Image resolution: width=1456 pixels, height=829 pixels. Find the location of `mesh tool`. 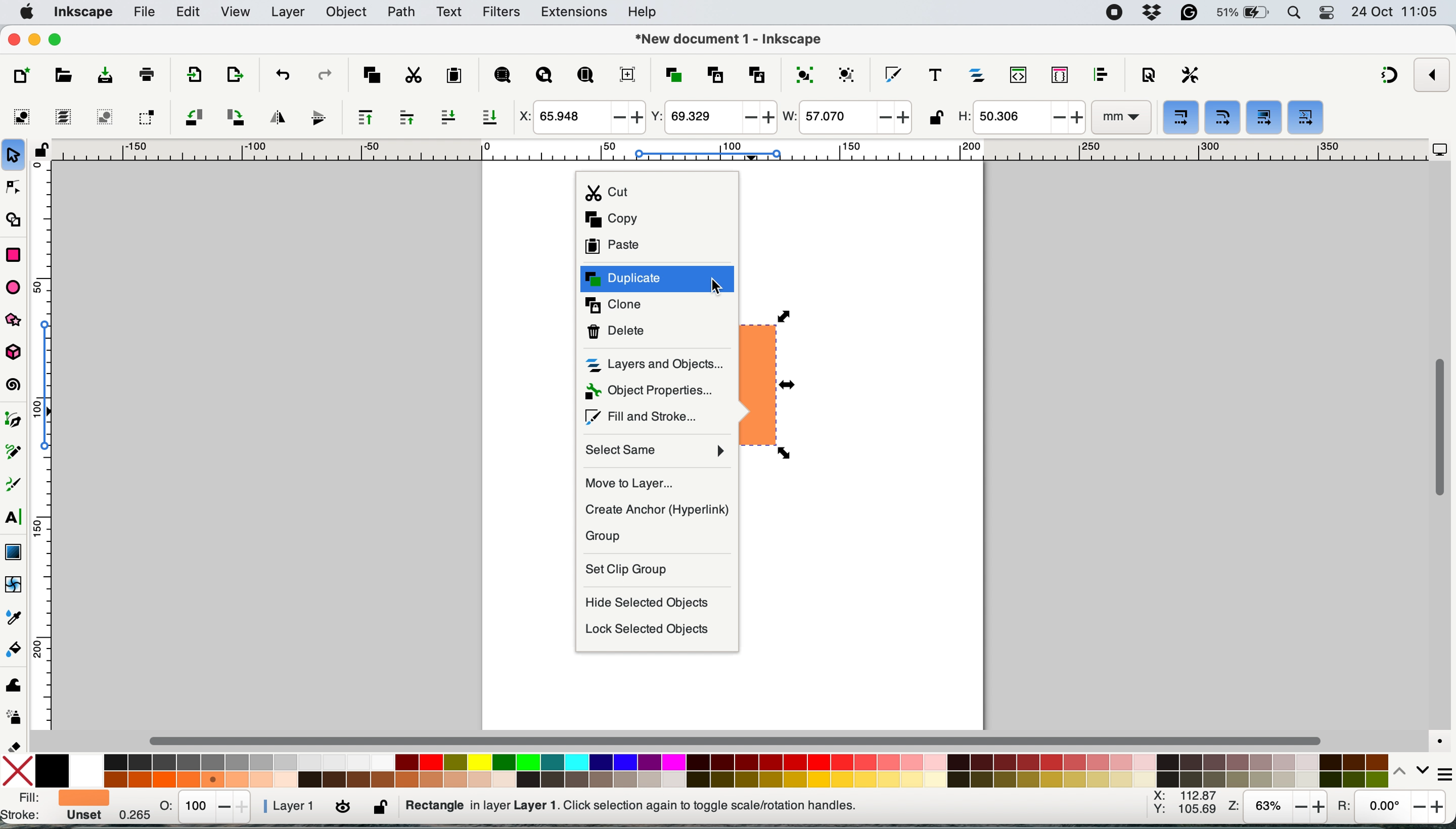

mesh tool is located at coordinates (15, 586).